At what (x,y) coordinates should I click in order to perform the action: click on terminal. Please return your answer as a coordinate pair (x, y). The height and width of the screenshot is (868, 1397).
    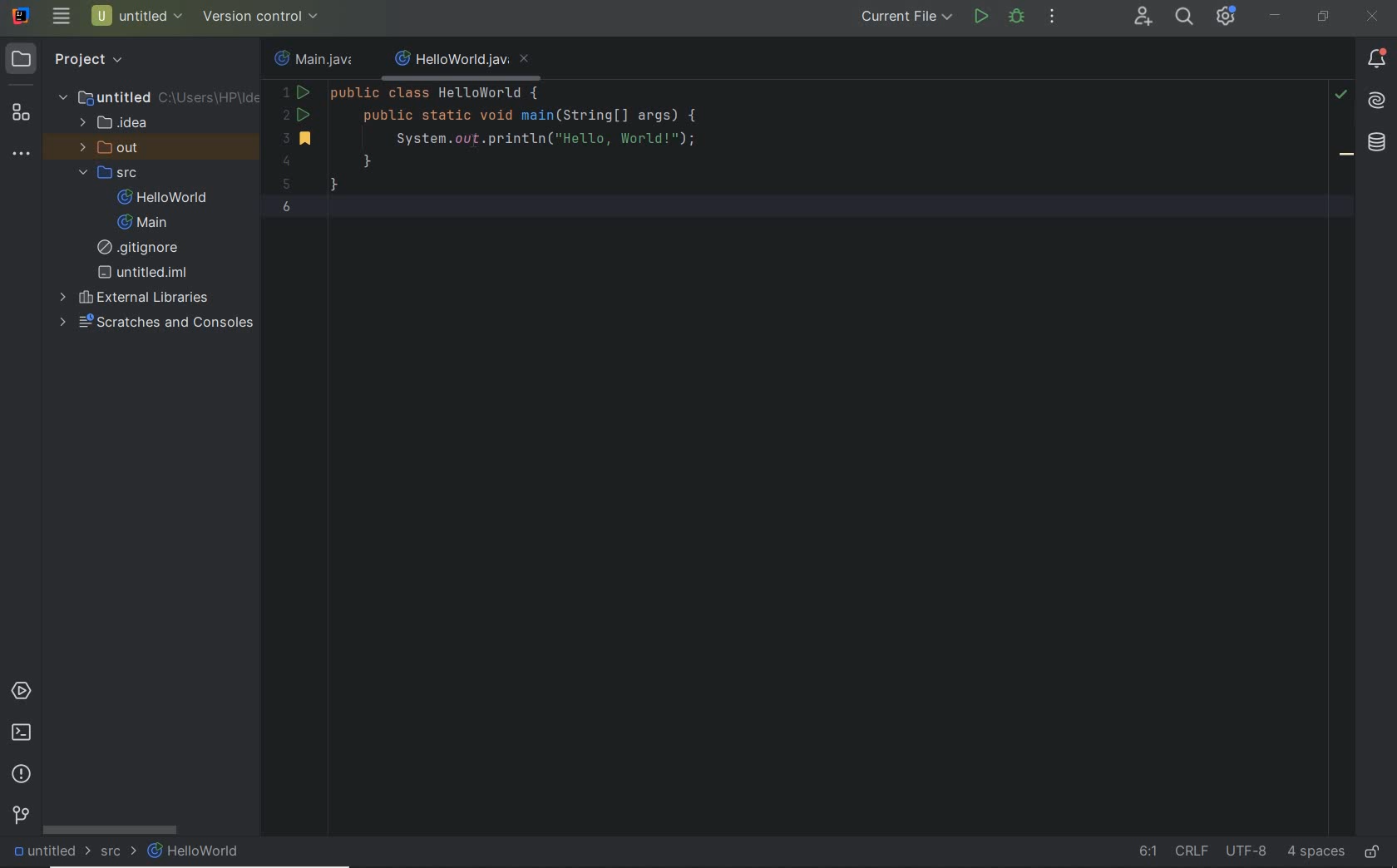
    Looking at the image, I should click on (22, 732).